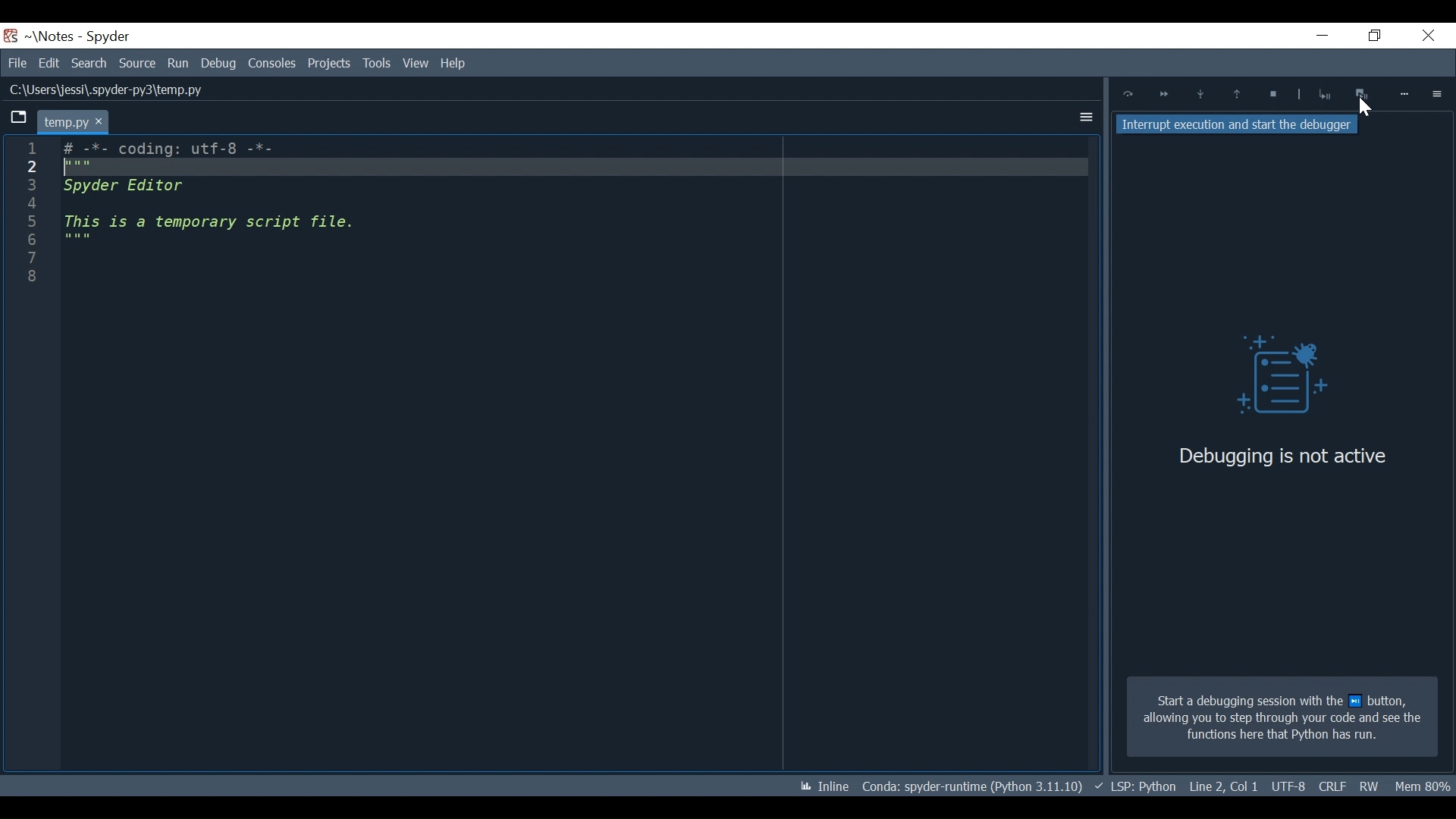 The width and height of the screenshot is (1456, 819). I want to click on Editor, so click(224, 191).